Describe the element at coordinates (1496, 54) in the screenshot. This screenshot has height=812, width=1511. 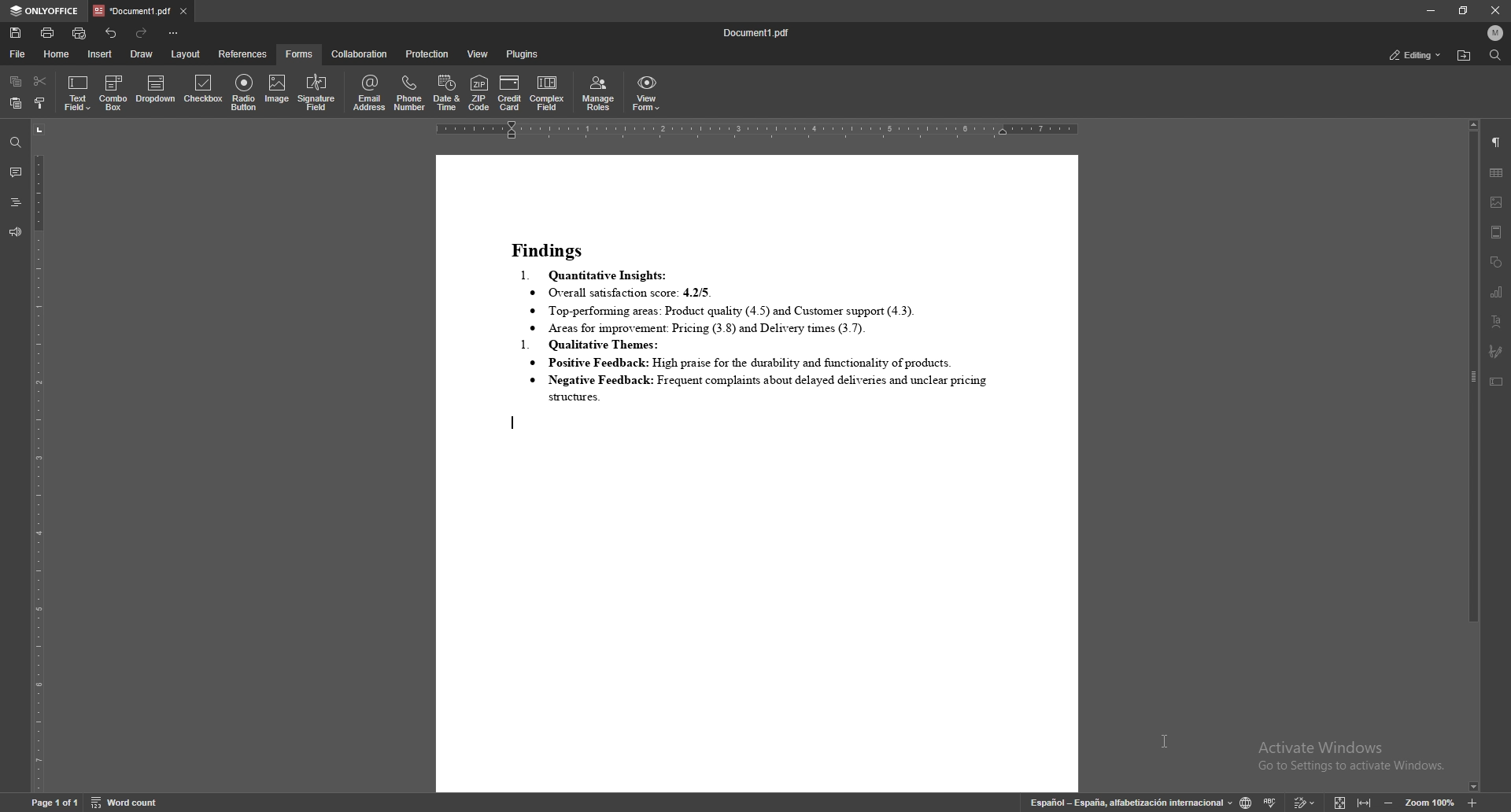
I see `find` at that location.